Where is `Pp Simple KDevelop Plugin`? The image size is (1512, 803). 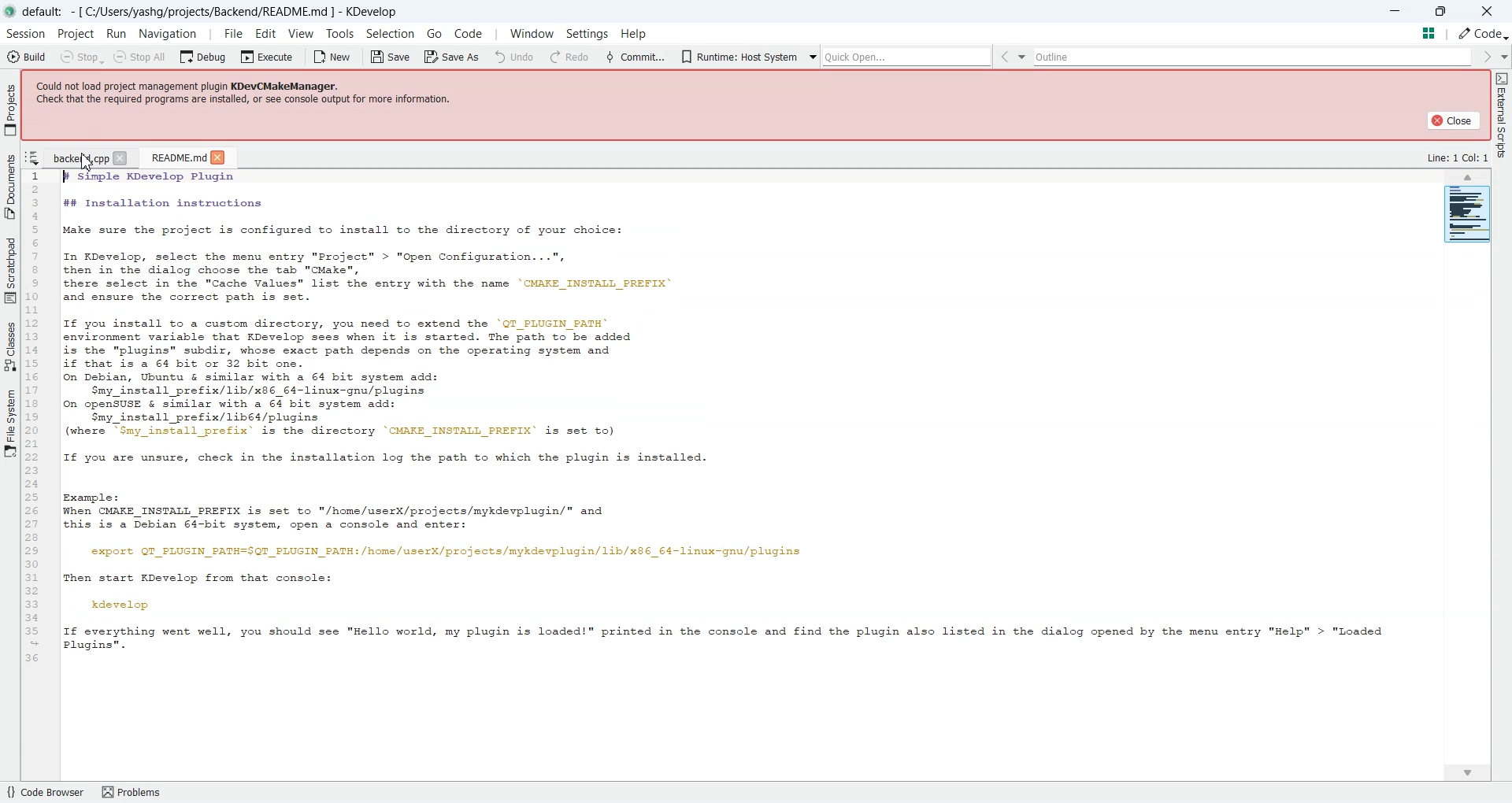
Pp Simple KDevelop Plugin is located at coordinates (206, 176).